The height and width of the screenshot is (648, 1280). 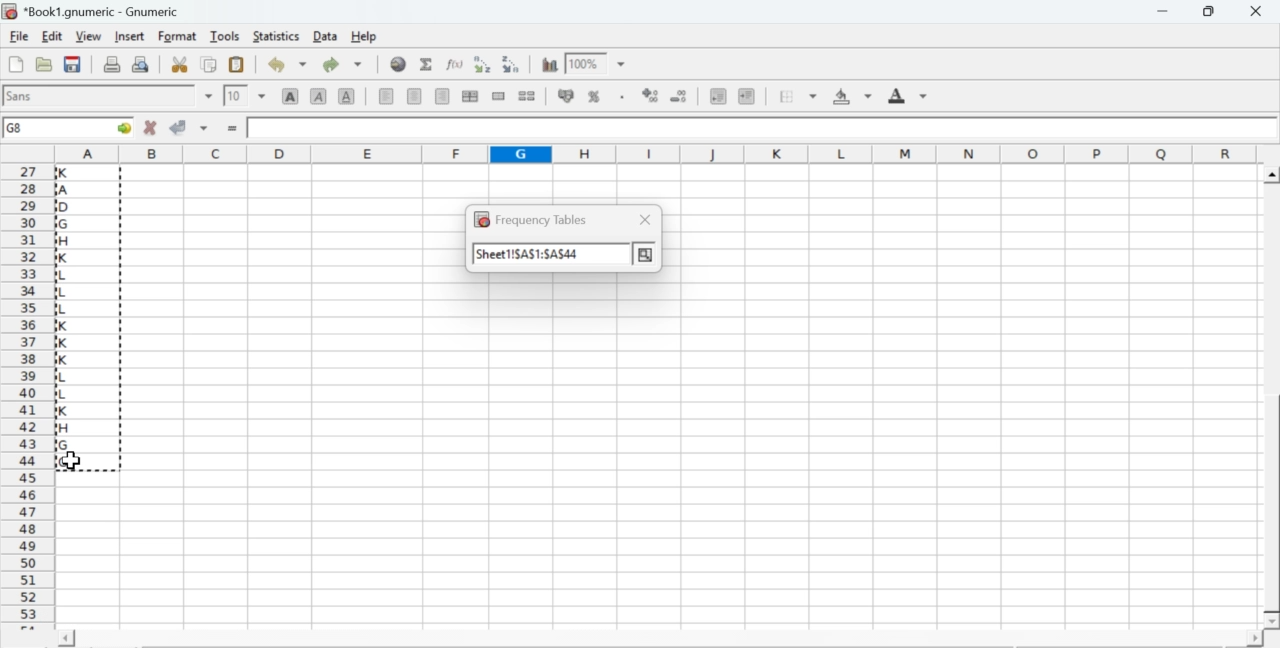 What do you see at coordinates (320, 95) in the screenshot?
I see `italic` at bounding box center [320, 95].